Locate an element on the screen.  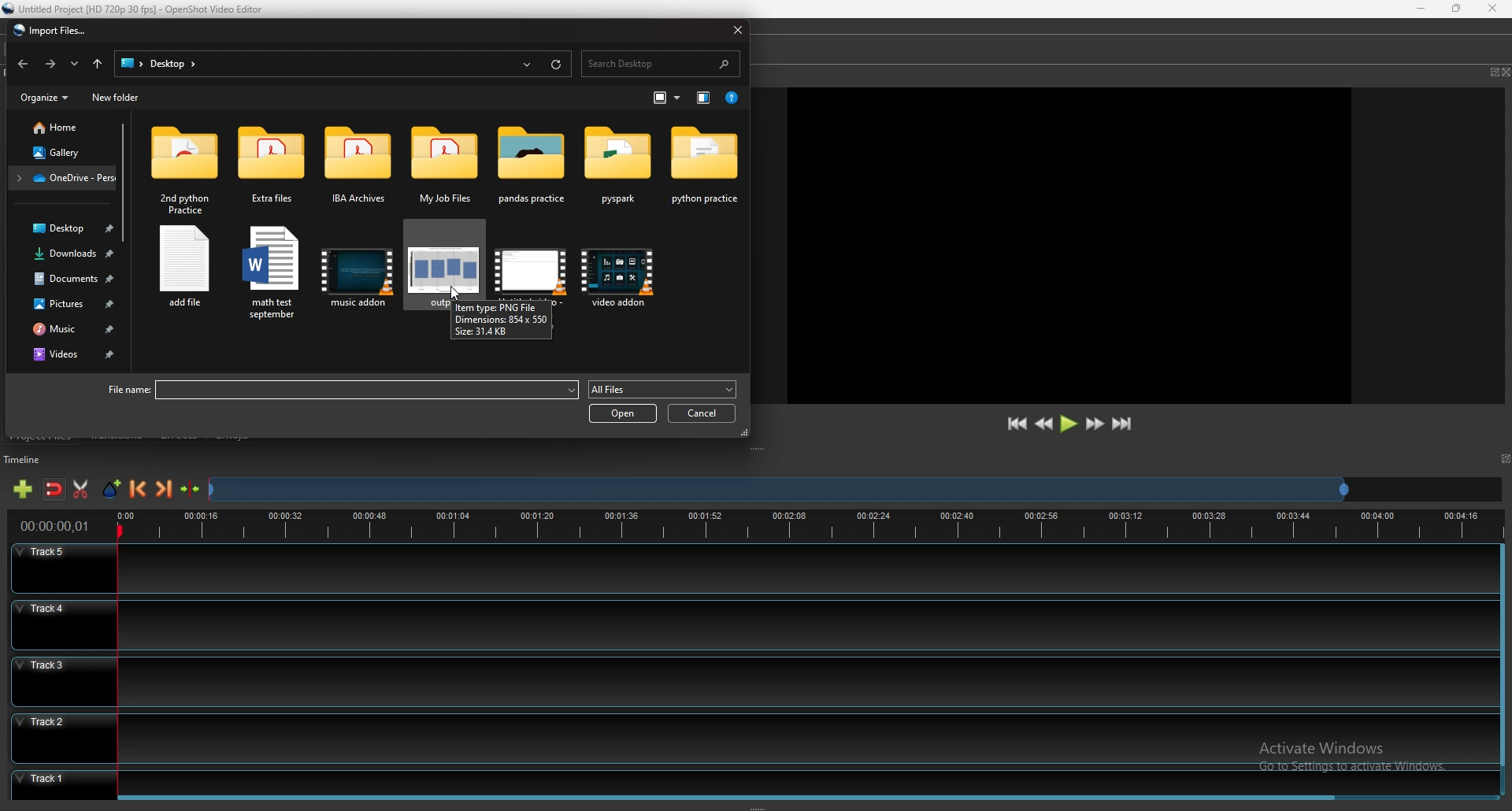
track 3 is located at coordinates (747, 680).